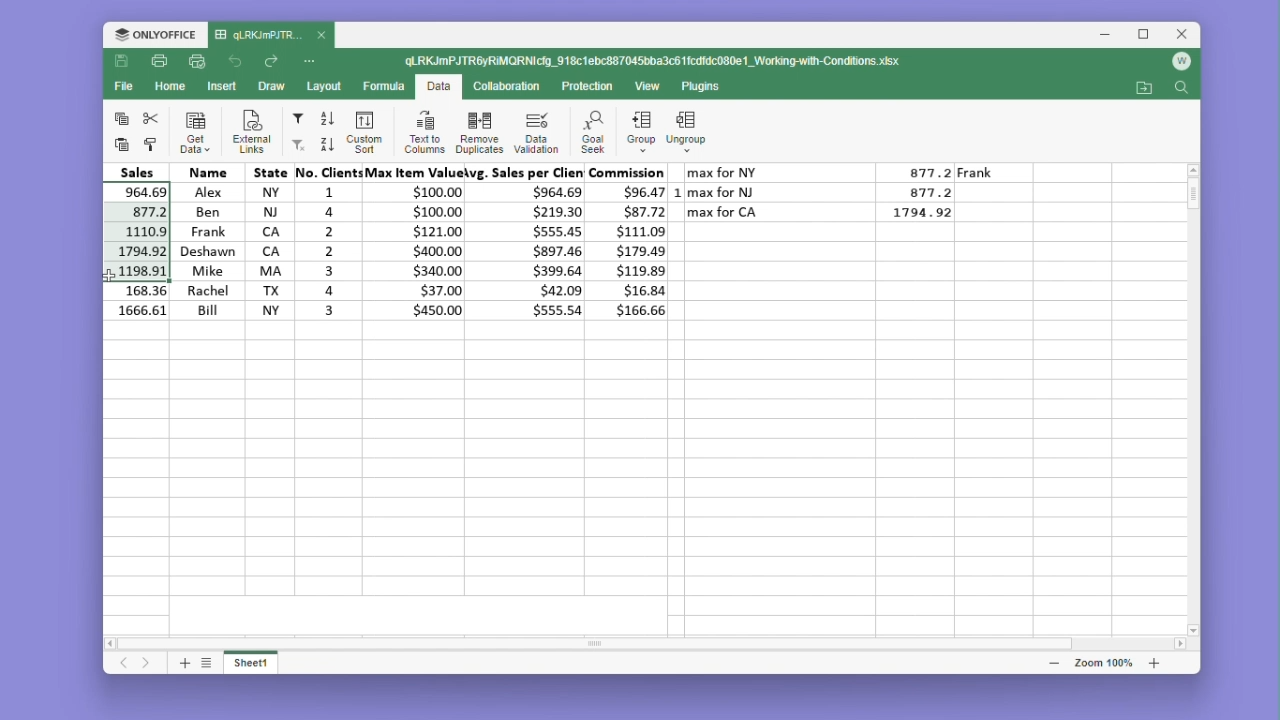  What do you see at coordinates (536, 132) in the screenshot?
I see `Data validation` at bounding box center [536, 132].